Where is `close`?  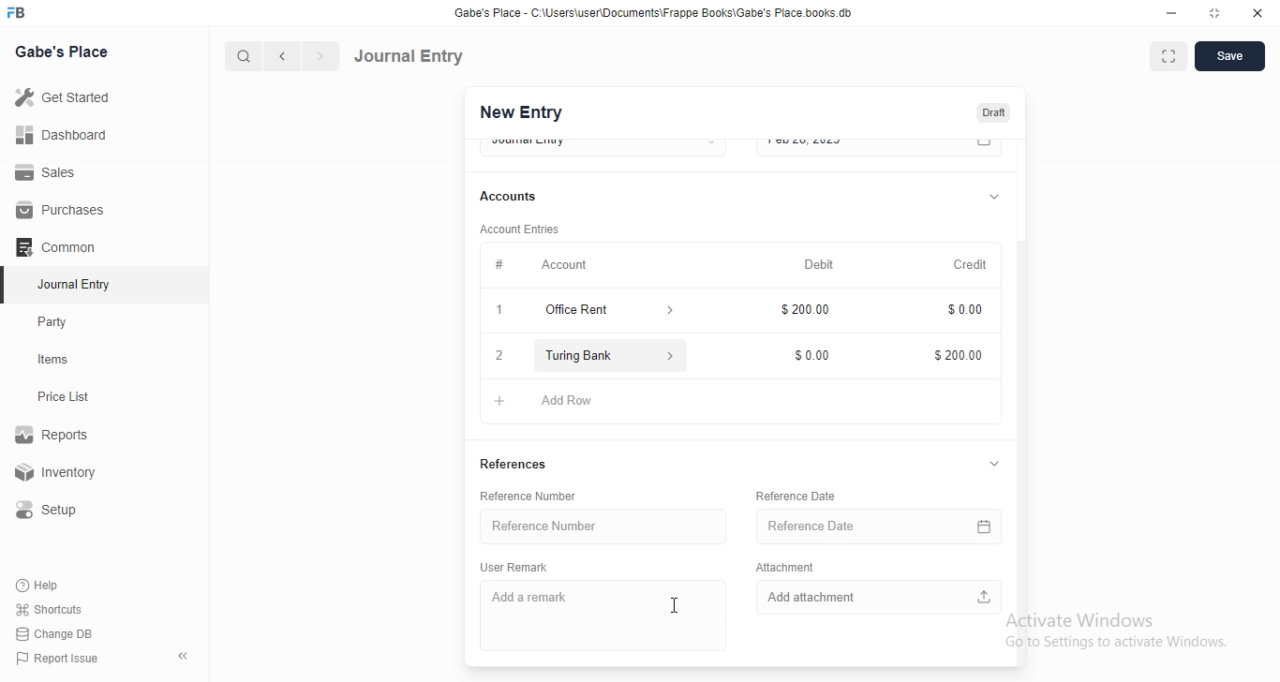 close is located at coordinates (1258, 11).